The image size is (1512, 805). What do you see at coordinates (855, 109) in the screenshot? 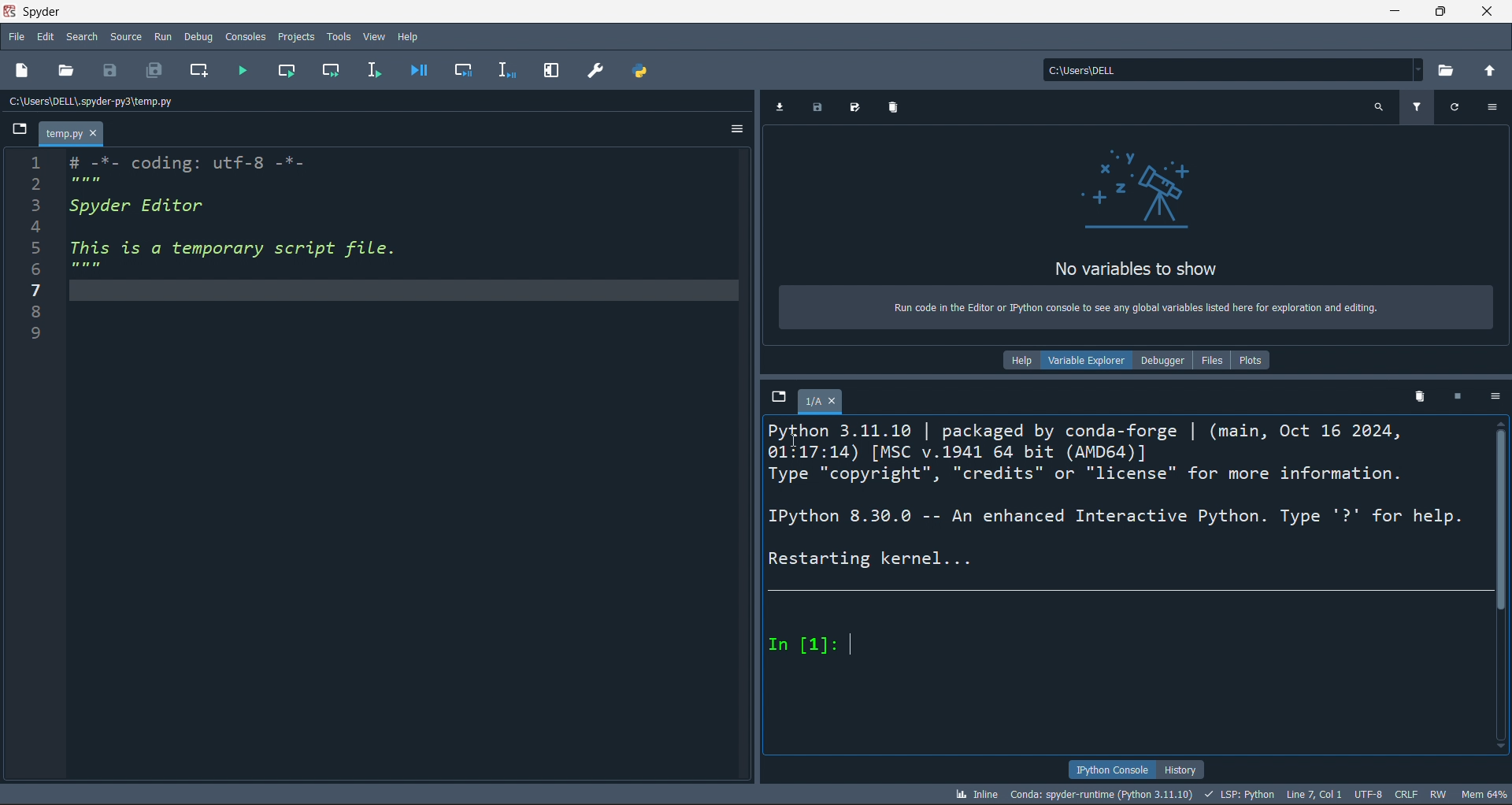
I see `save` at bounding box center [855, 109].